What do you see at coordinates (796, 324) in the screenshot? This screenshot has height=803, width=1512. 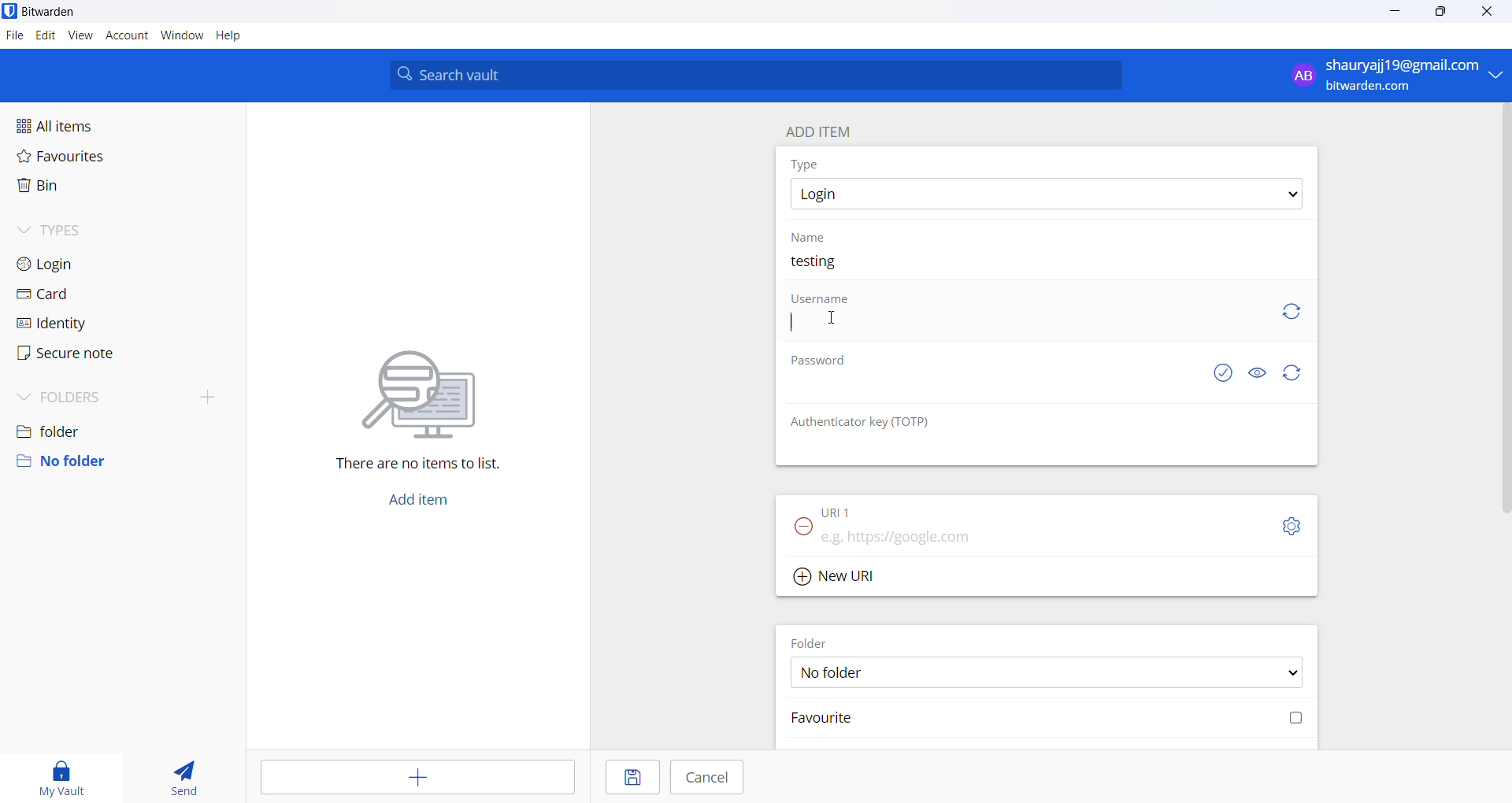 I see `text cursor` at bounding box center [796, 324].